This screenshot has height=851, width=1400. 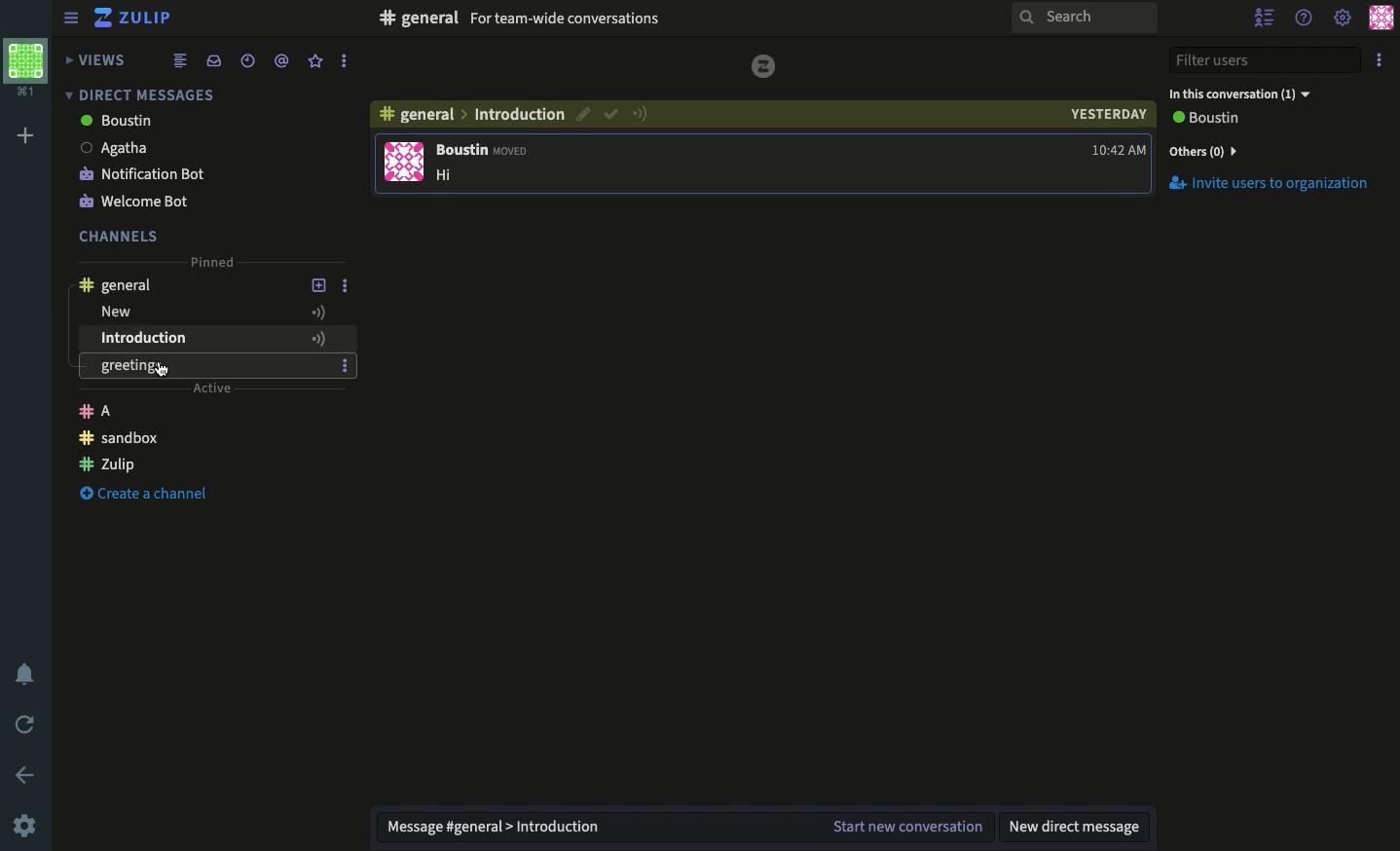 I want to click on Edit, so click(x=581, y=114).